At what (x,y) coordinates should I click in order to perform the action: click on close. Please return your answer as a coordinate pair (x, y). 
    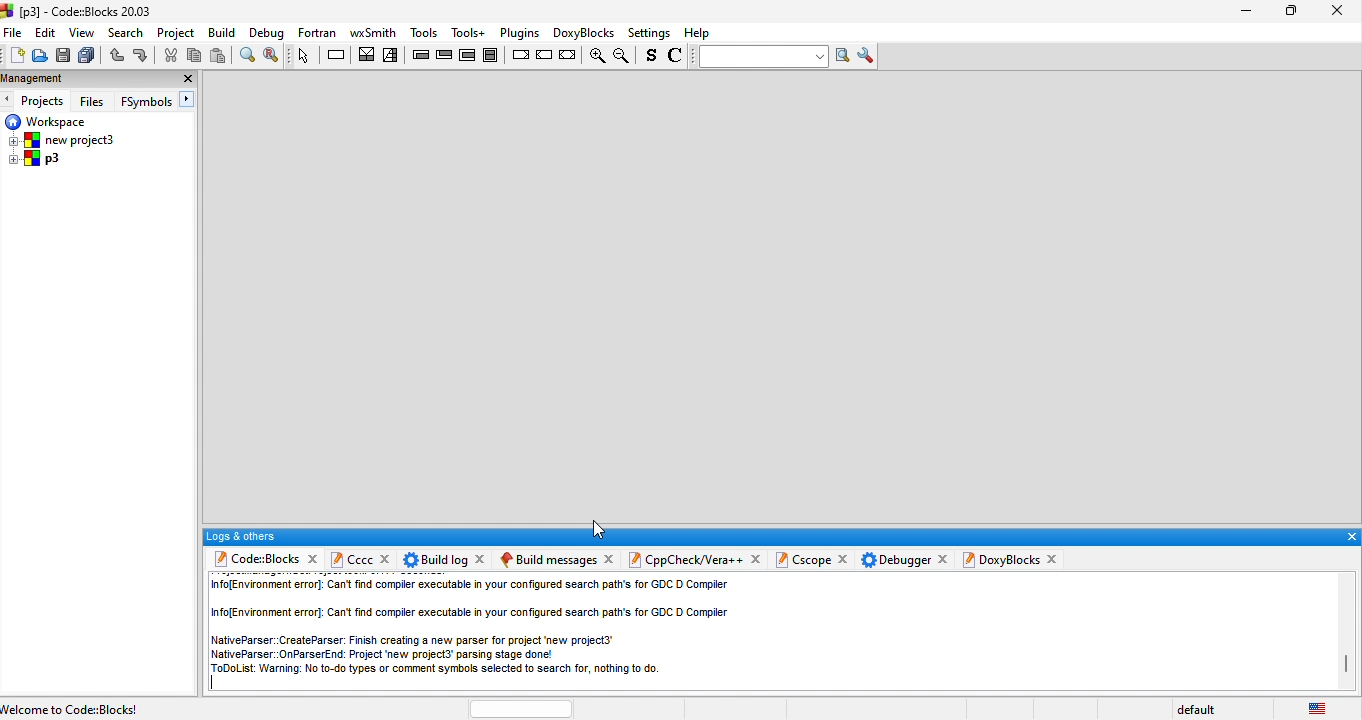
    Looking at the image, I should click on (482, 558).